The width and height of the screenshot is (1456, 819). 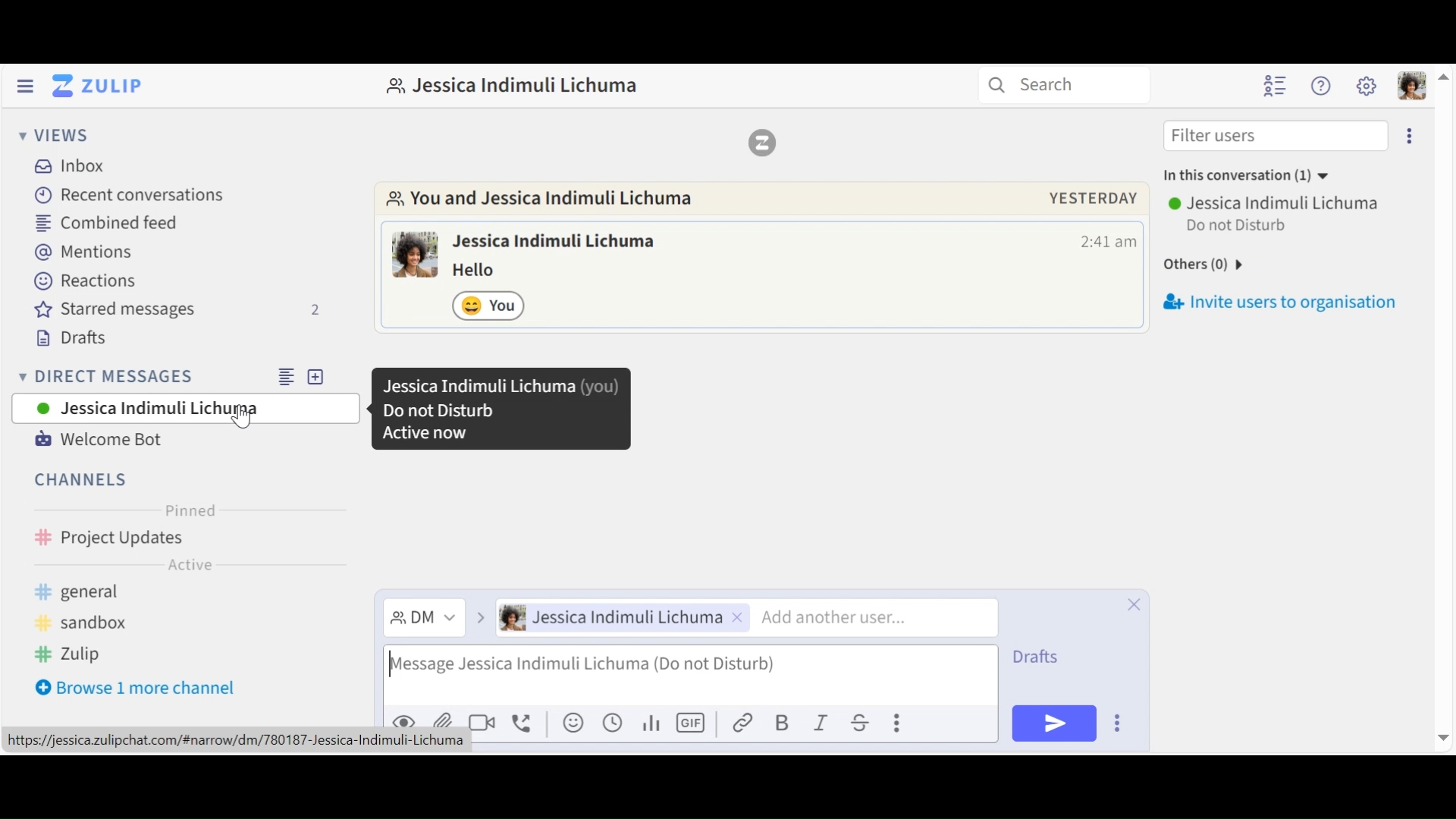 What do you see at coordinates (83, 479) in the screenshot?
I see `Channel` at bounding box center [83, 479].